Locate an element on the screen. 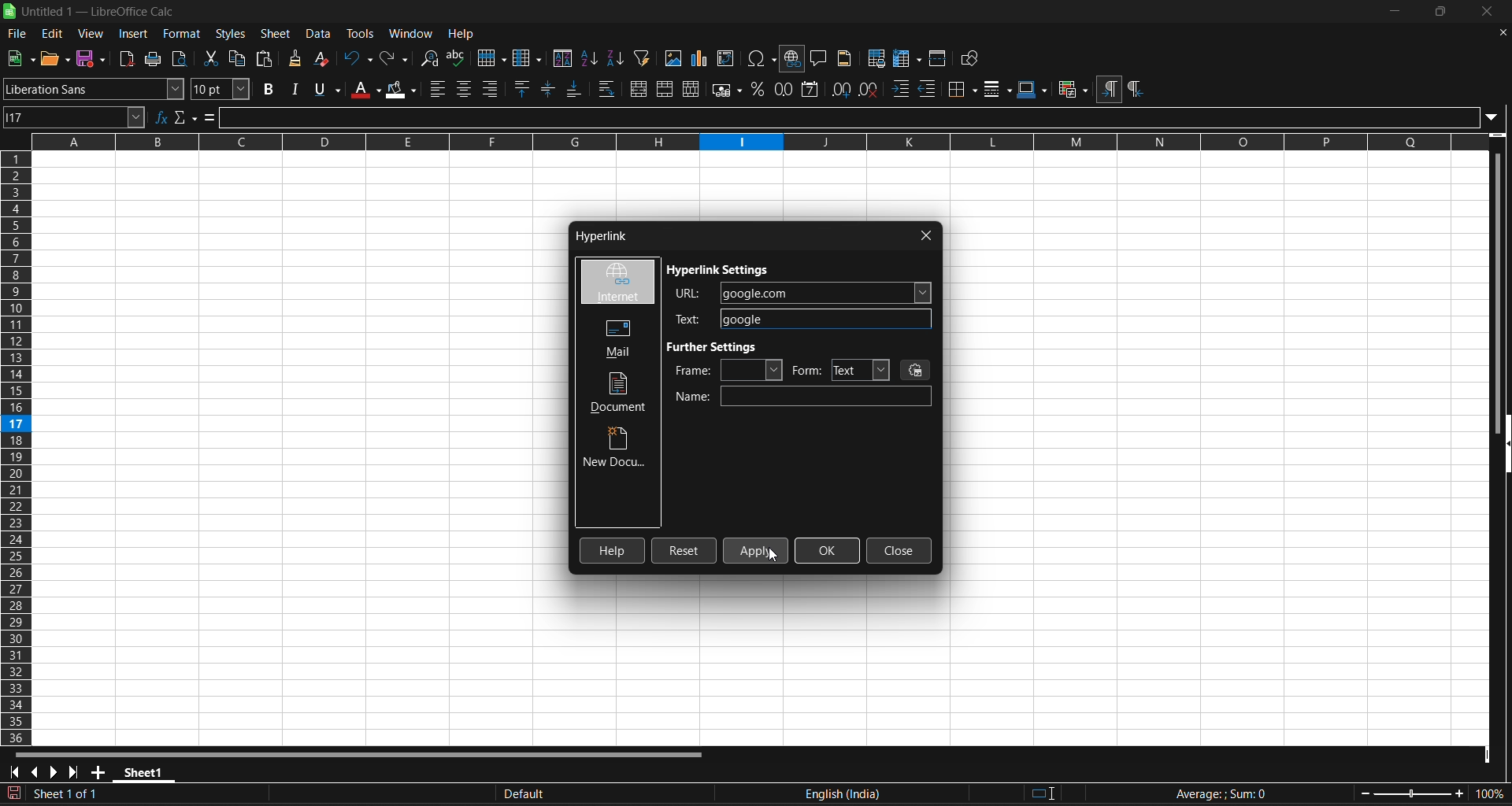  column is located at coordinates (529, 57).